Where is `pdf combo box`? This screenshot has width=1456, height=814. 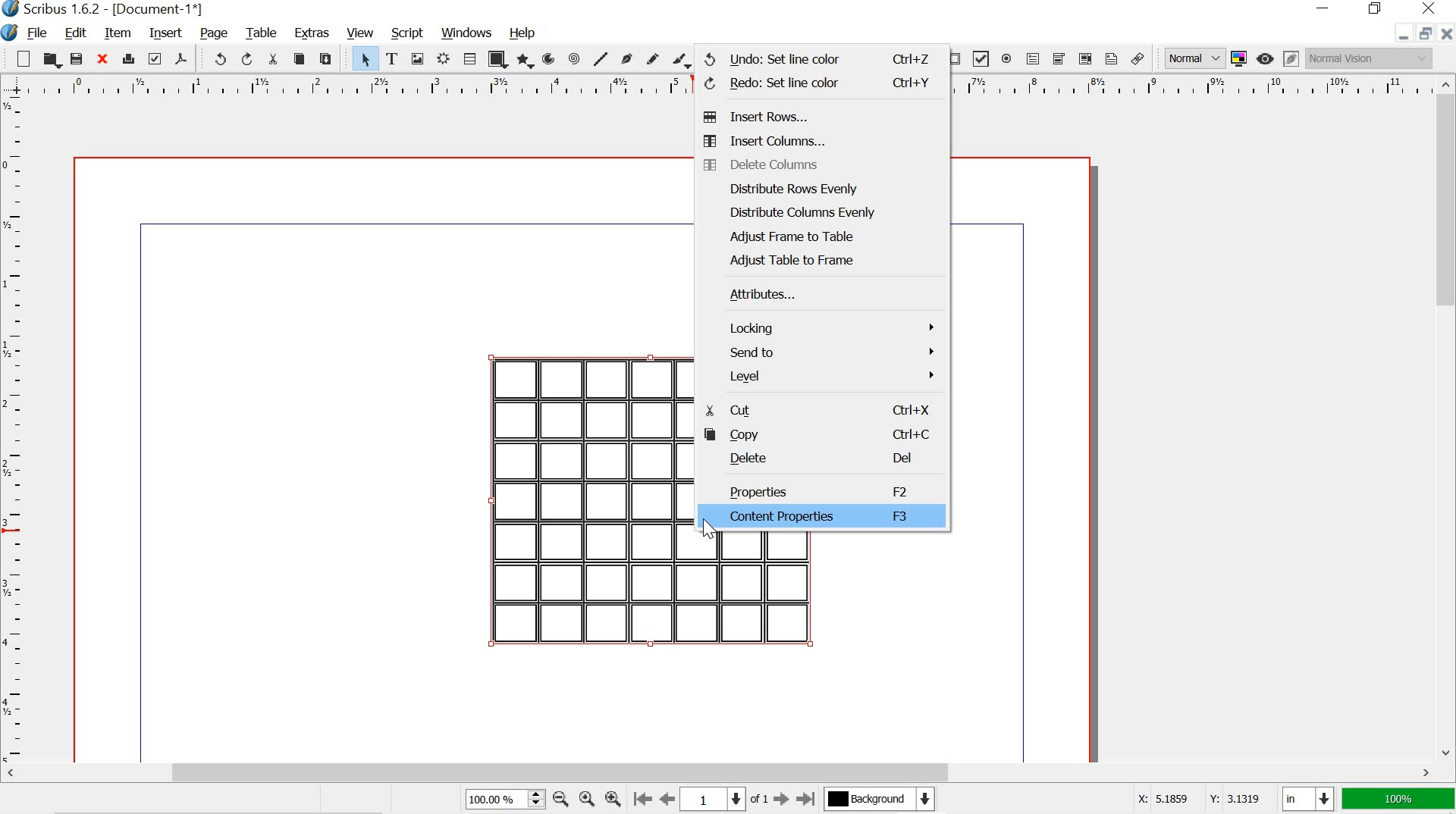
pdf combo box is located at coordinates (1059, 59).